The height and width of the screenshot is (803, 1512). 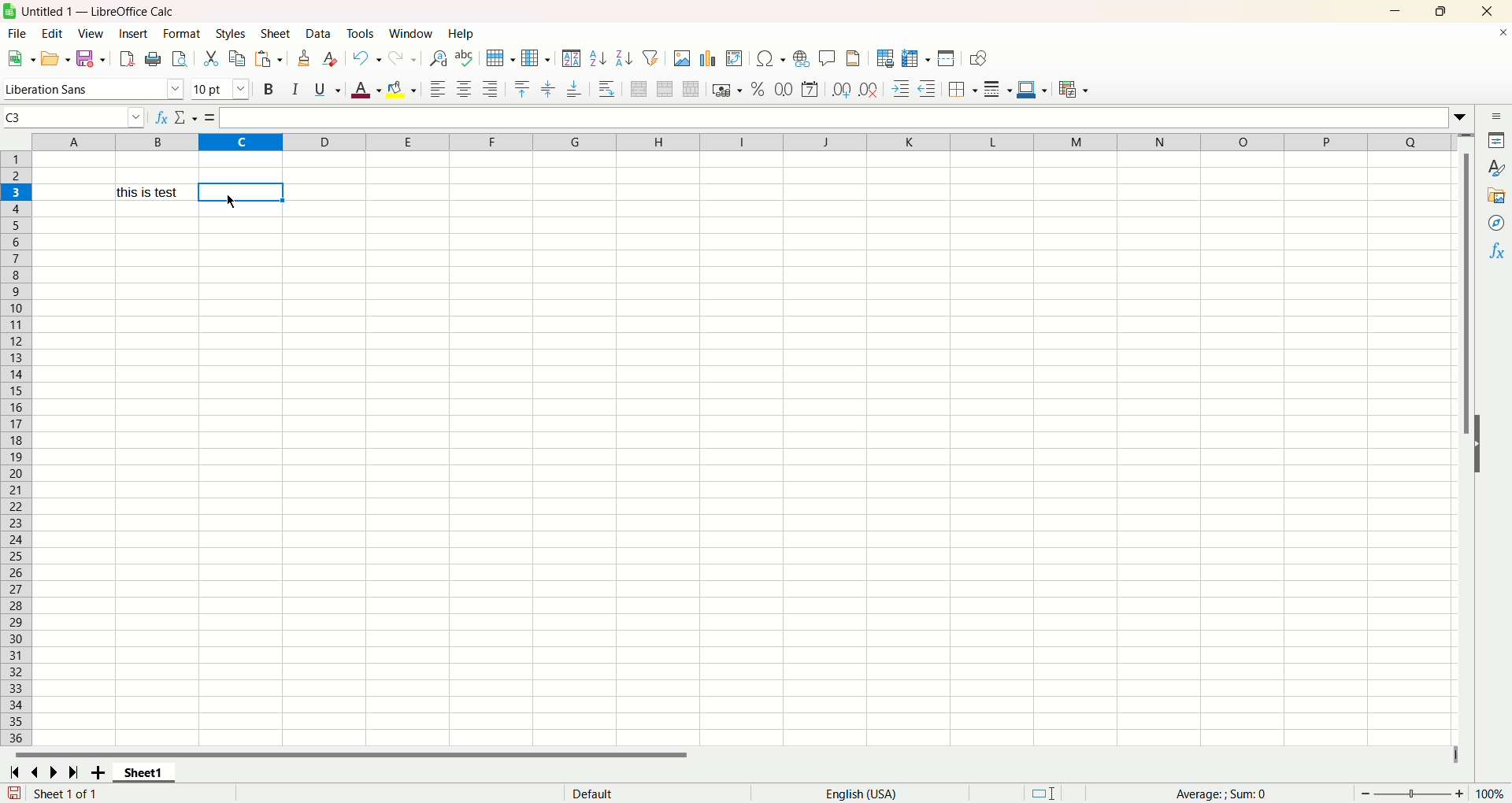 What do you see at coordinates (1480, 443) in the screenshot?
I see `show` at bounding box center [1480, 443].